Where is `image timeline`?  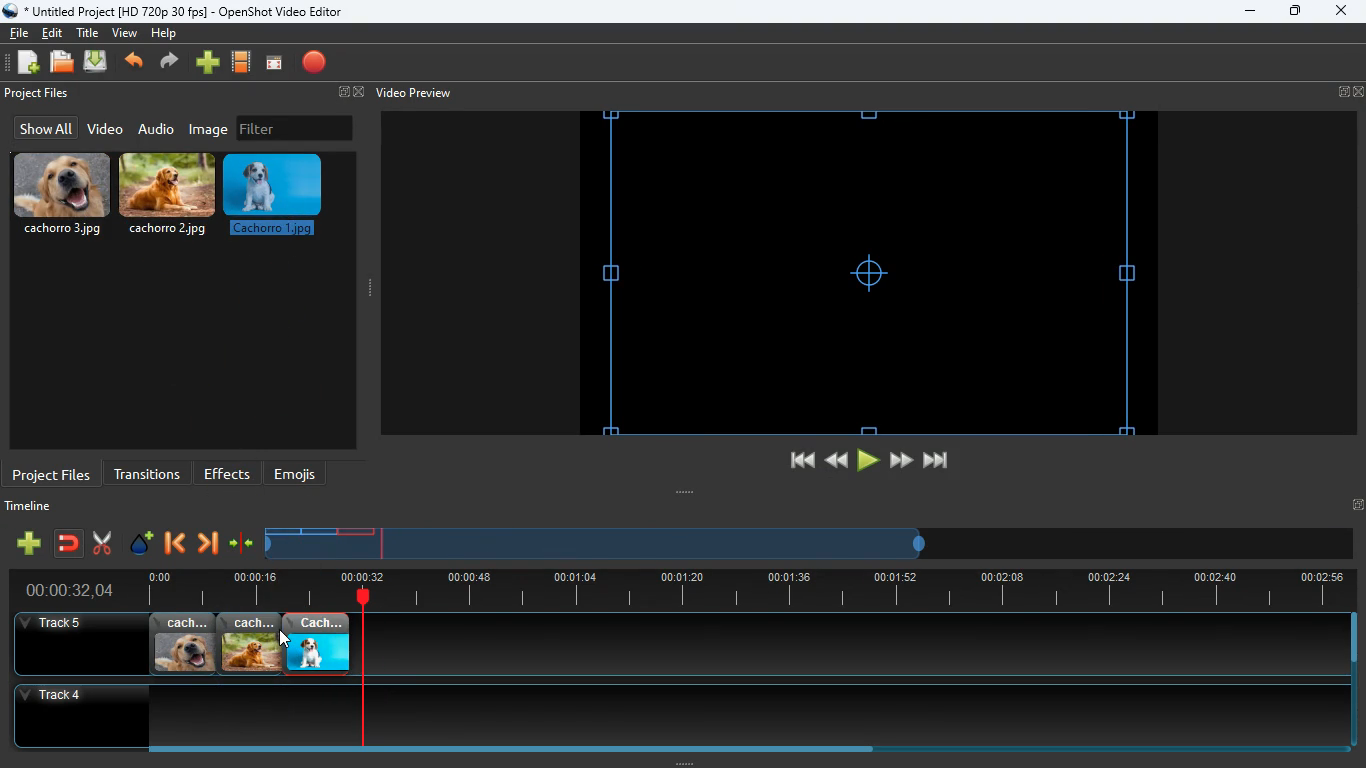
image timeline is located at coordinates (282, 531).